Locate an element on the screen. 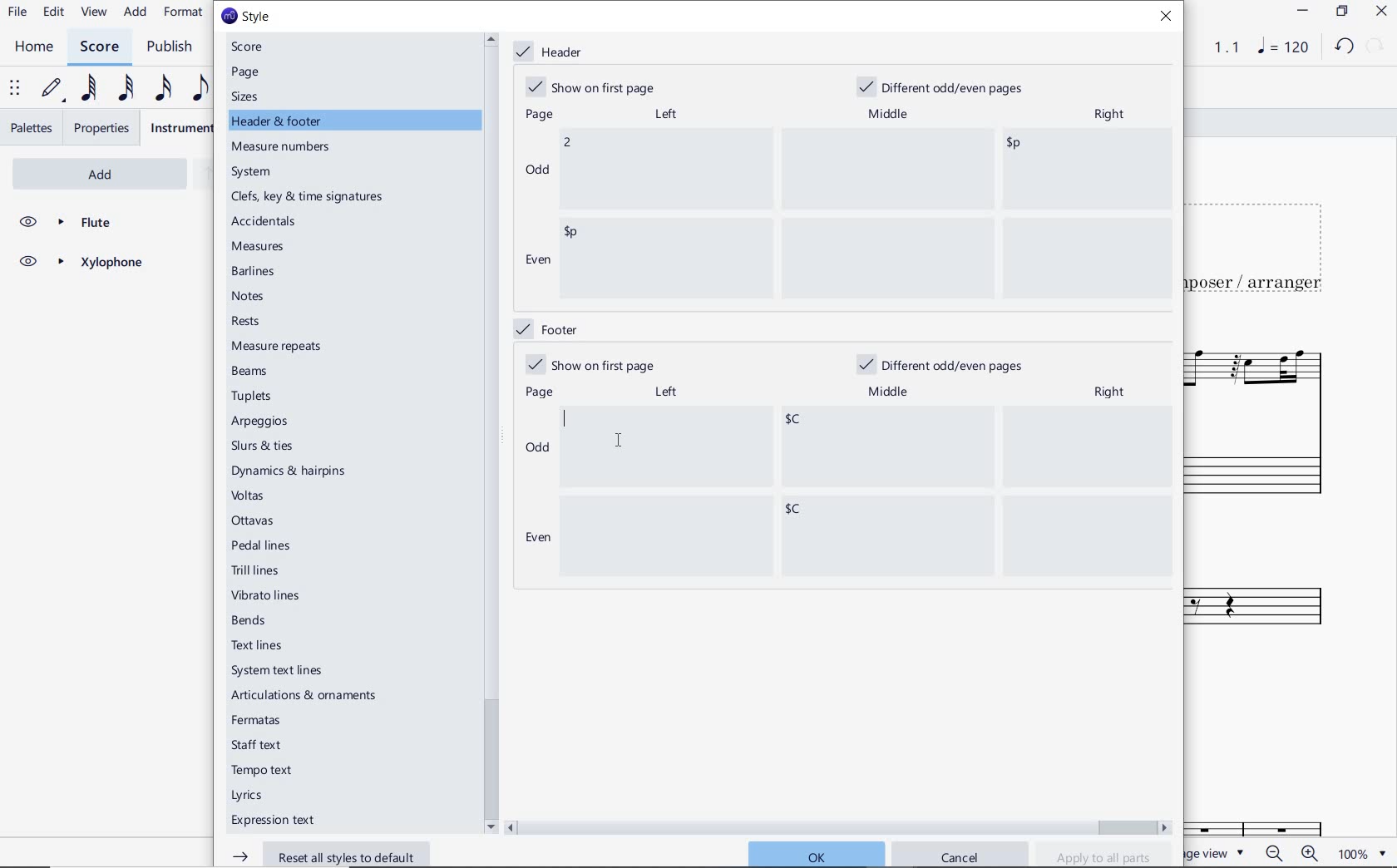 This screenshot has width=1397, height=868. vibrato lines is located at coordinates (270, 596).